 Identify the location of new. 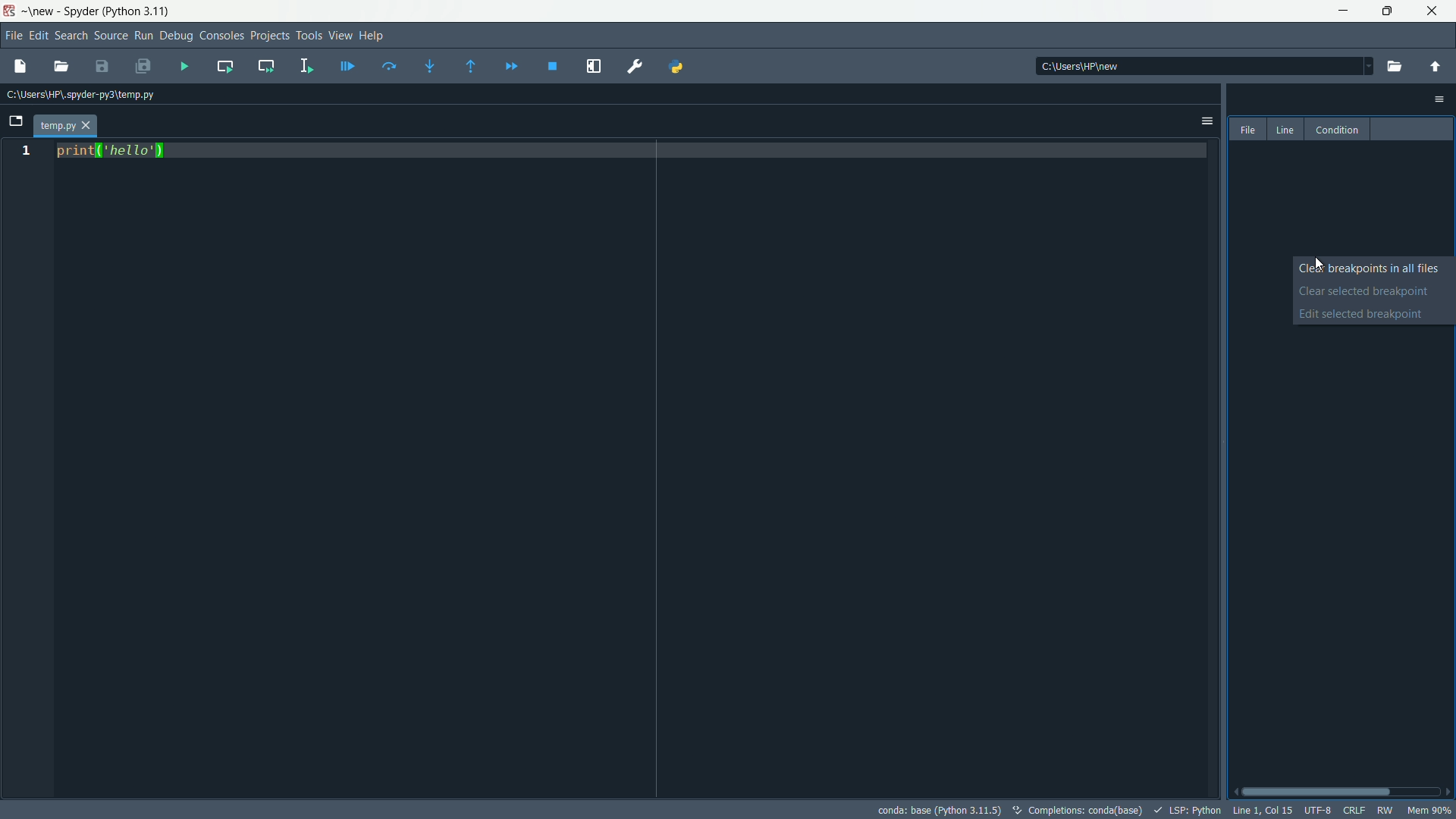
(40, 12).